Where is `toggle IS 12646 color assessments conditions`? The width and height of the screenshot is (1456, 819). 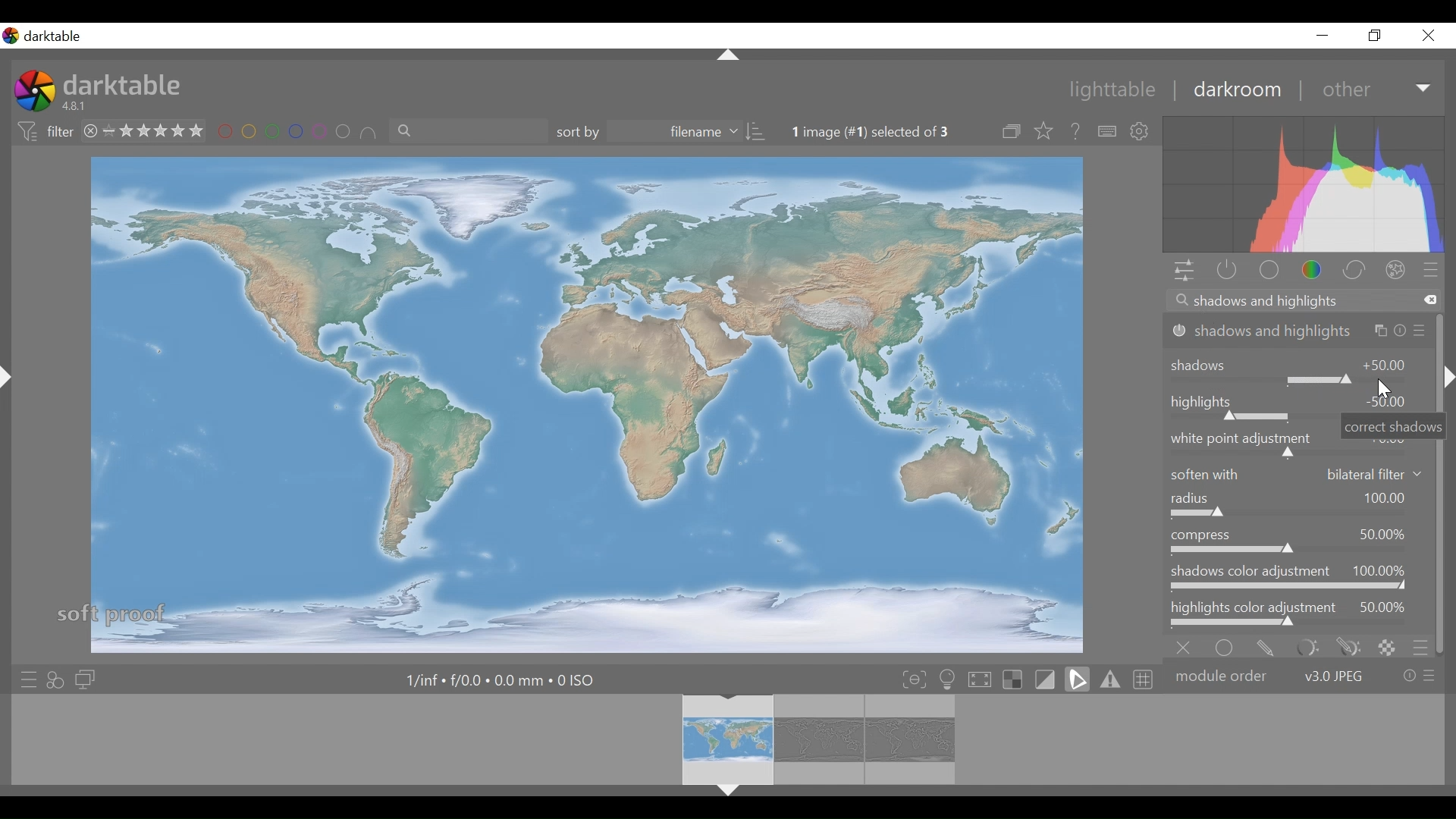 toggle IS 12646 color assessments conditions is located at coordinates (948, 680).